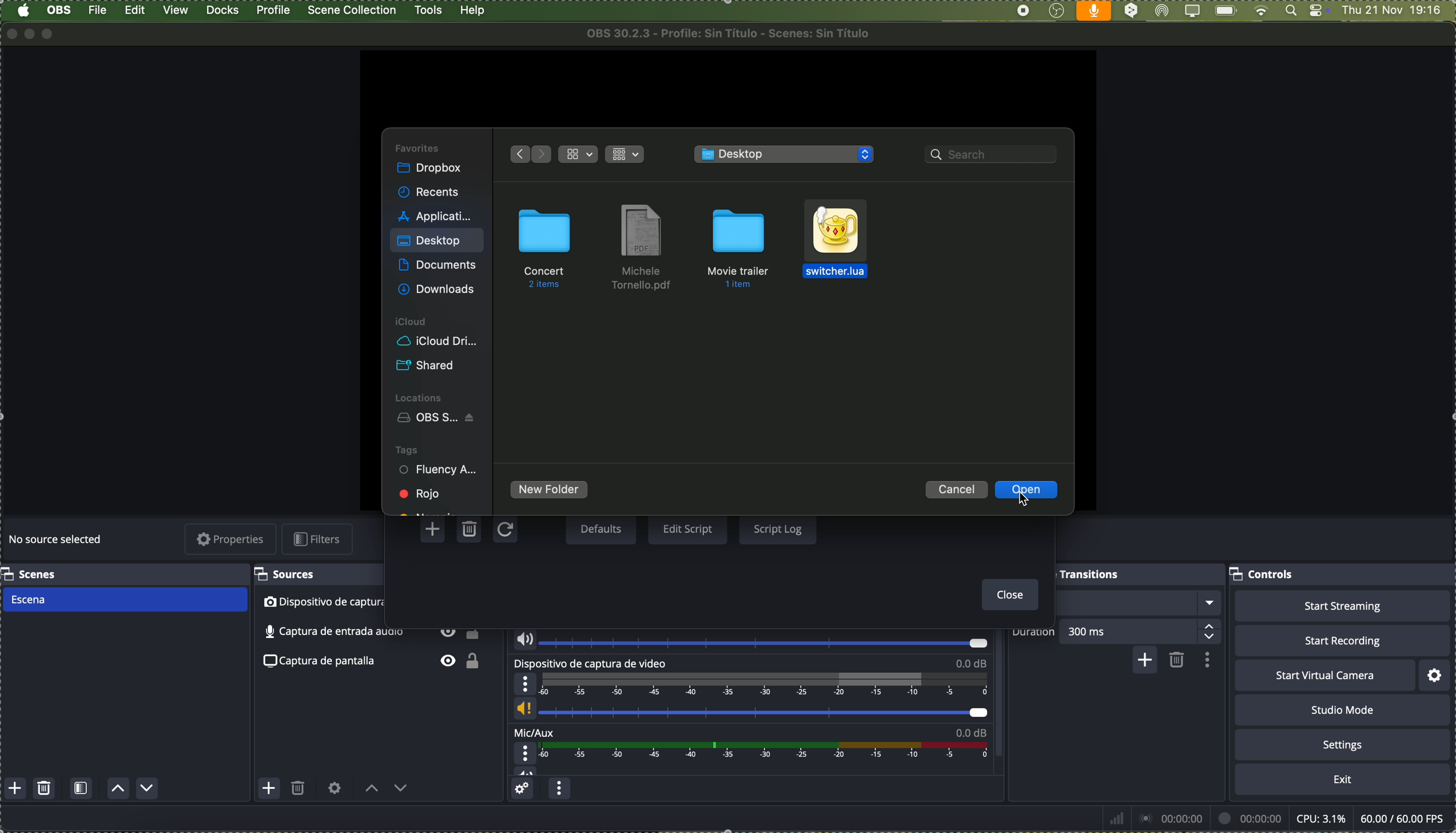 This screenshot has width=1456, height=833. I want to click on open source properties, so click(335, 788).